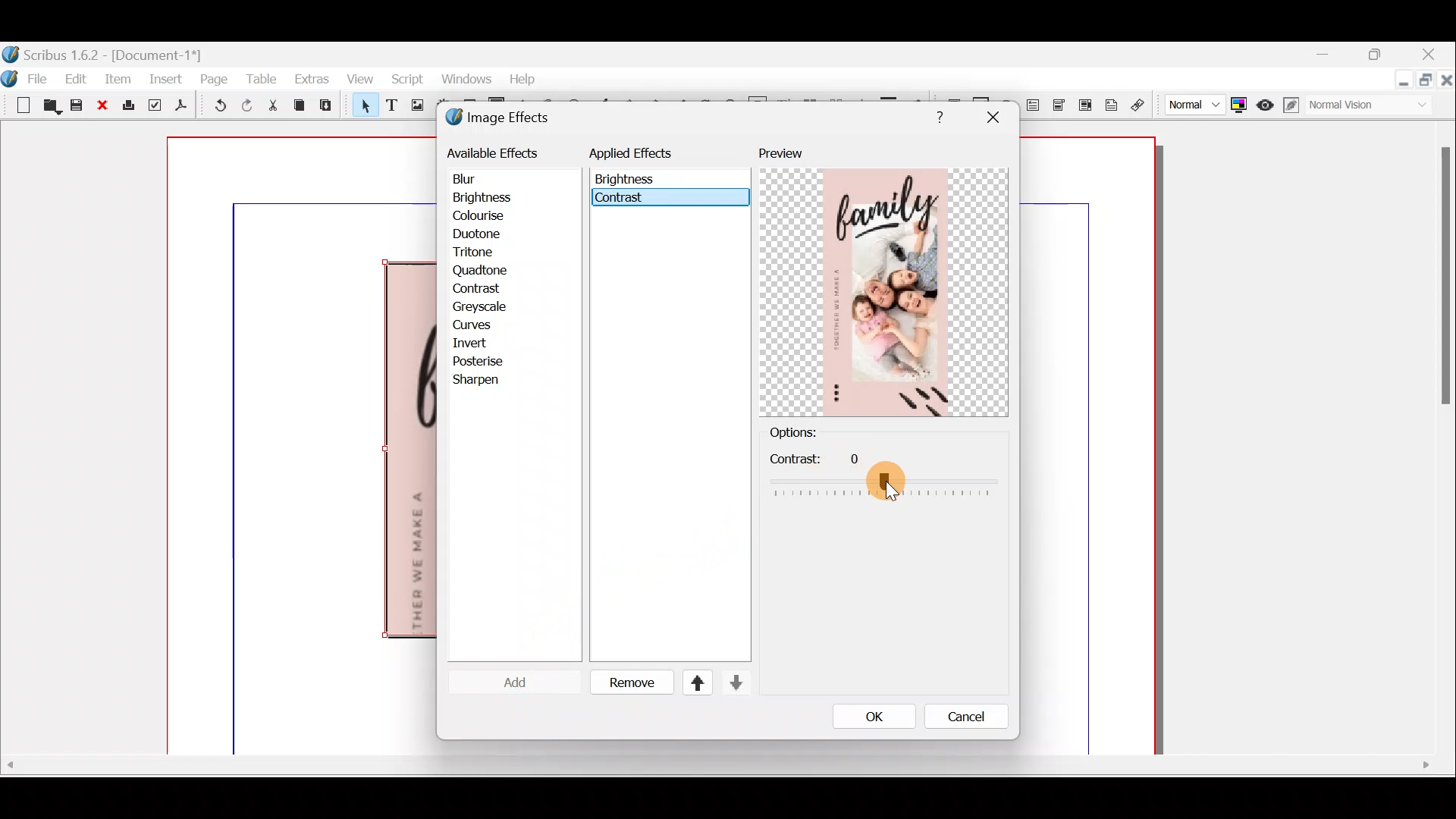 This screenshot has width=1456, height=819. I want to click on Save as PDF, so click(179, 108).